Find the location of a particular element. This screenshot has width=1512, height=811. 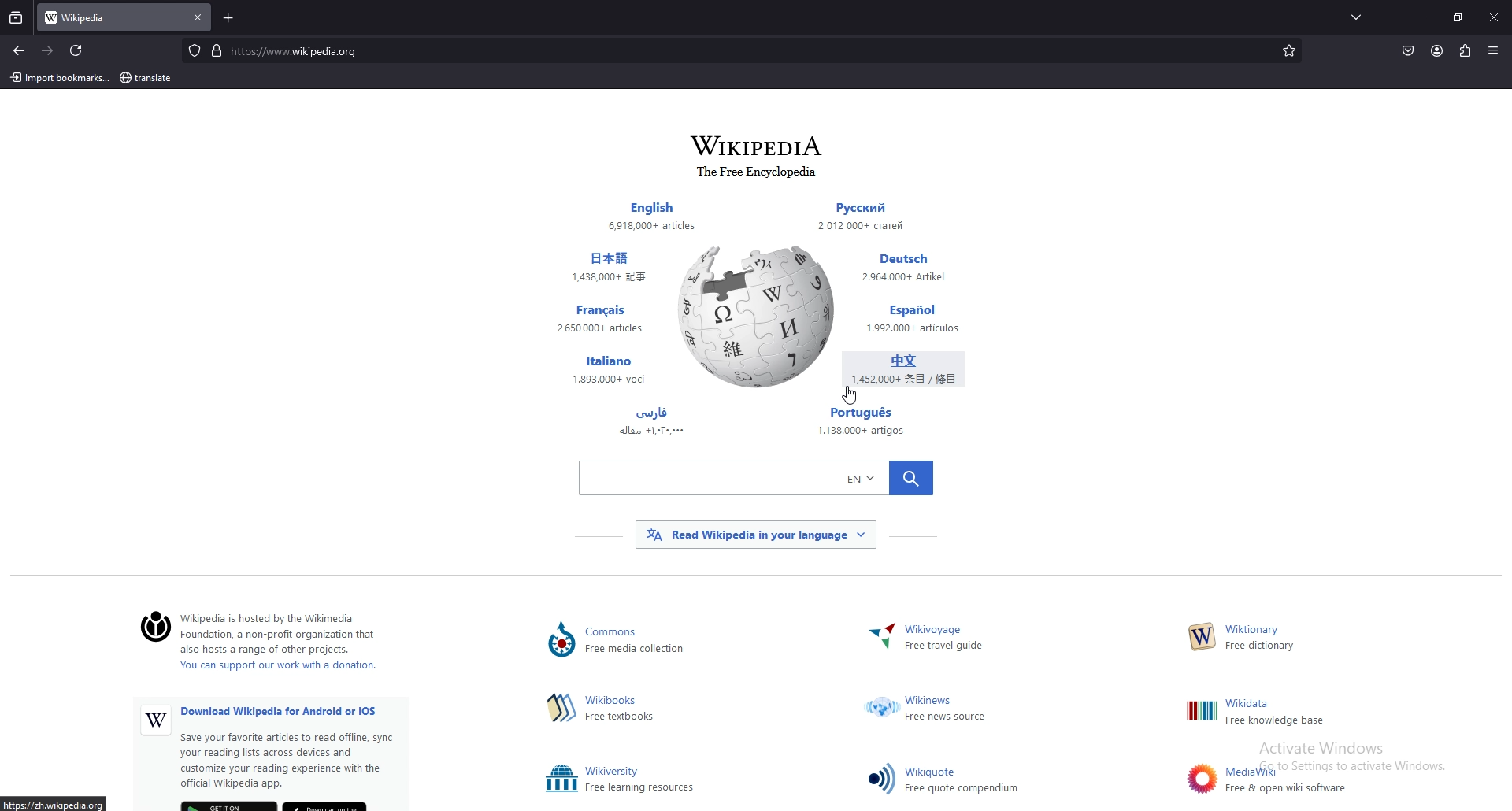

 is located at coordinates (880, 778).